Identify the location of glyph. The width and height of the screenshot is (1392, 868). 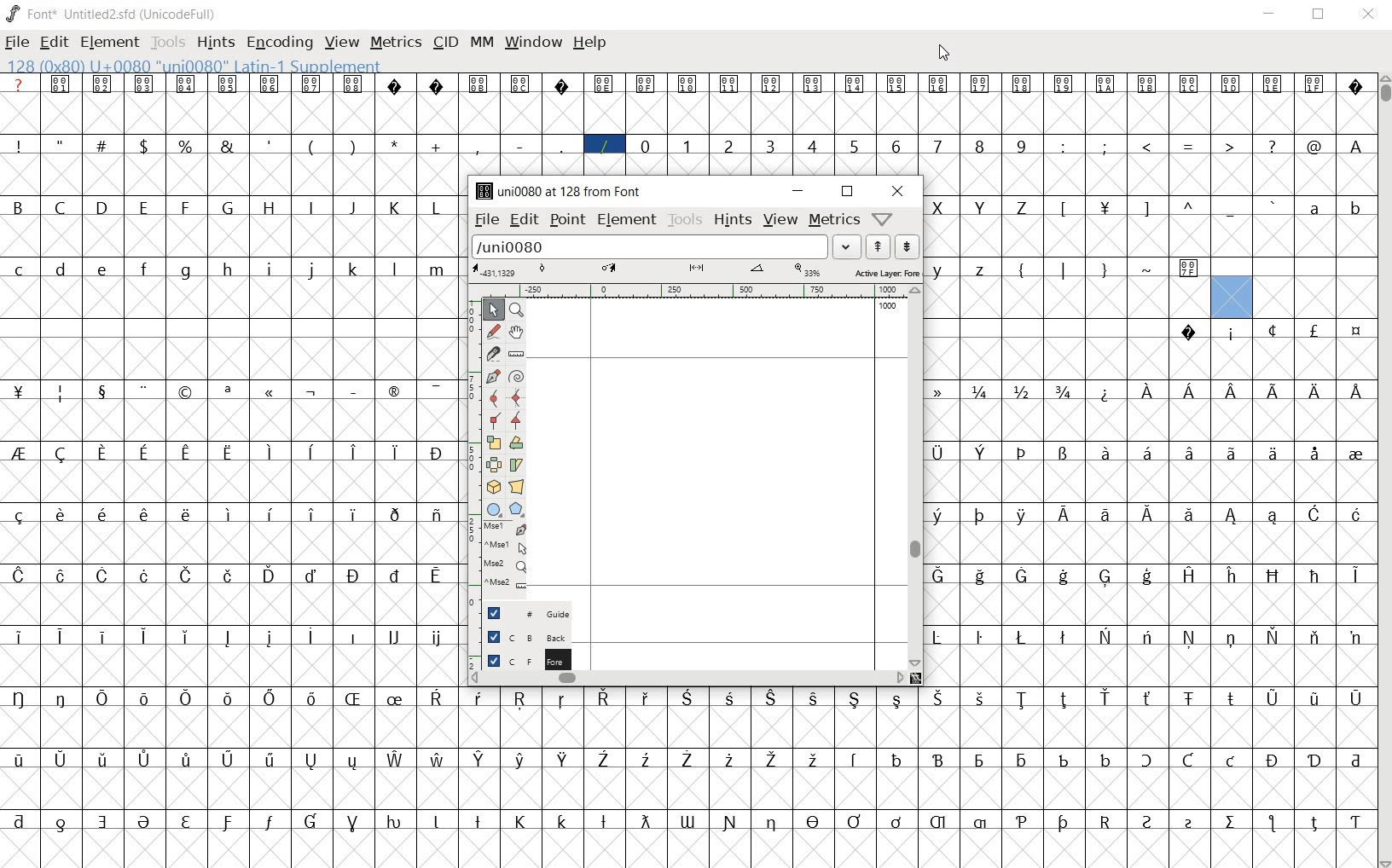
(1273, 699).